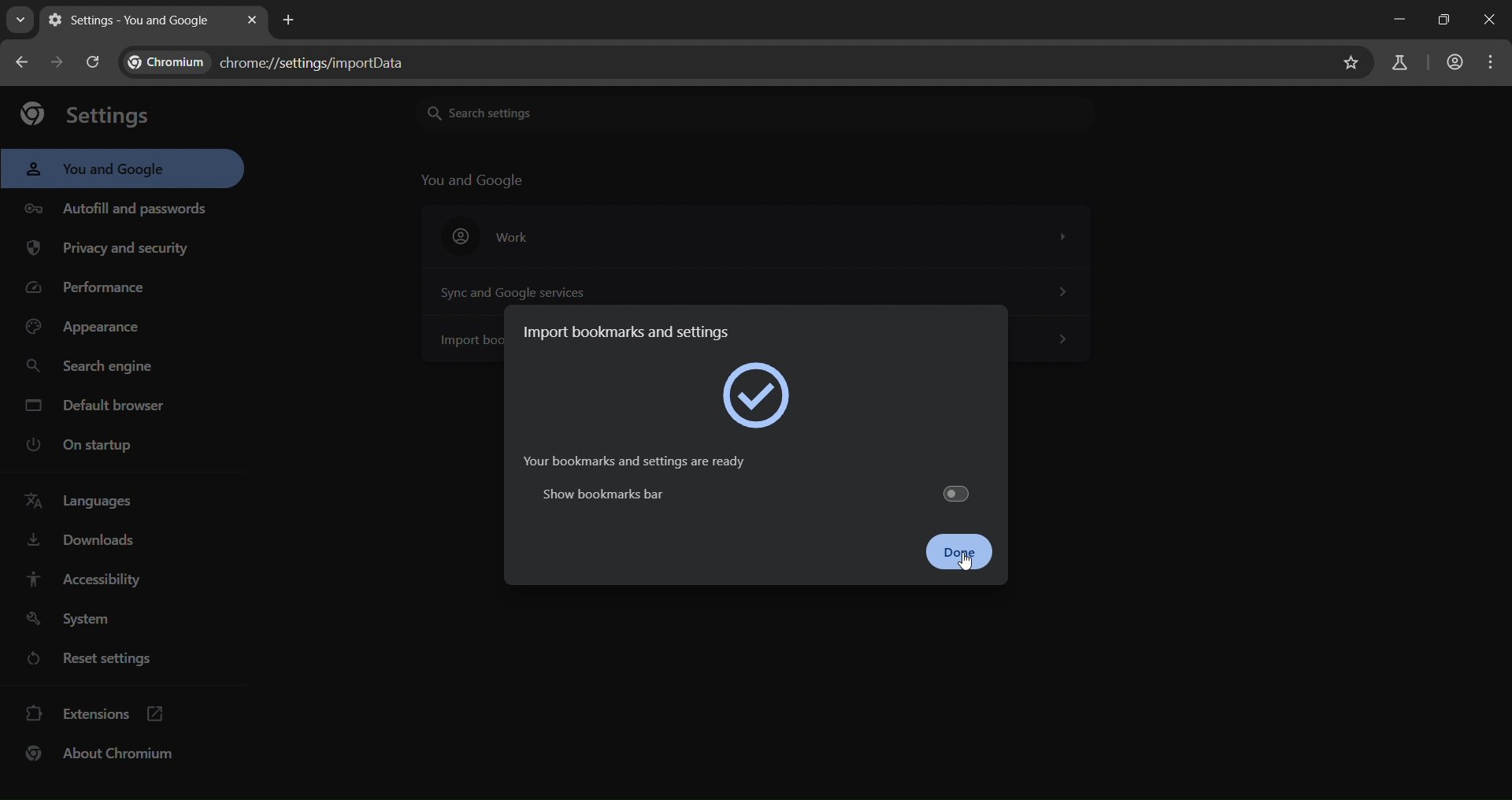  What do you see at coordinates (61, 61) in the screenshot?
I see `go forward page` at bounding box center [61, 61].